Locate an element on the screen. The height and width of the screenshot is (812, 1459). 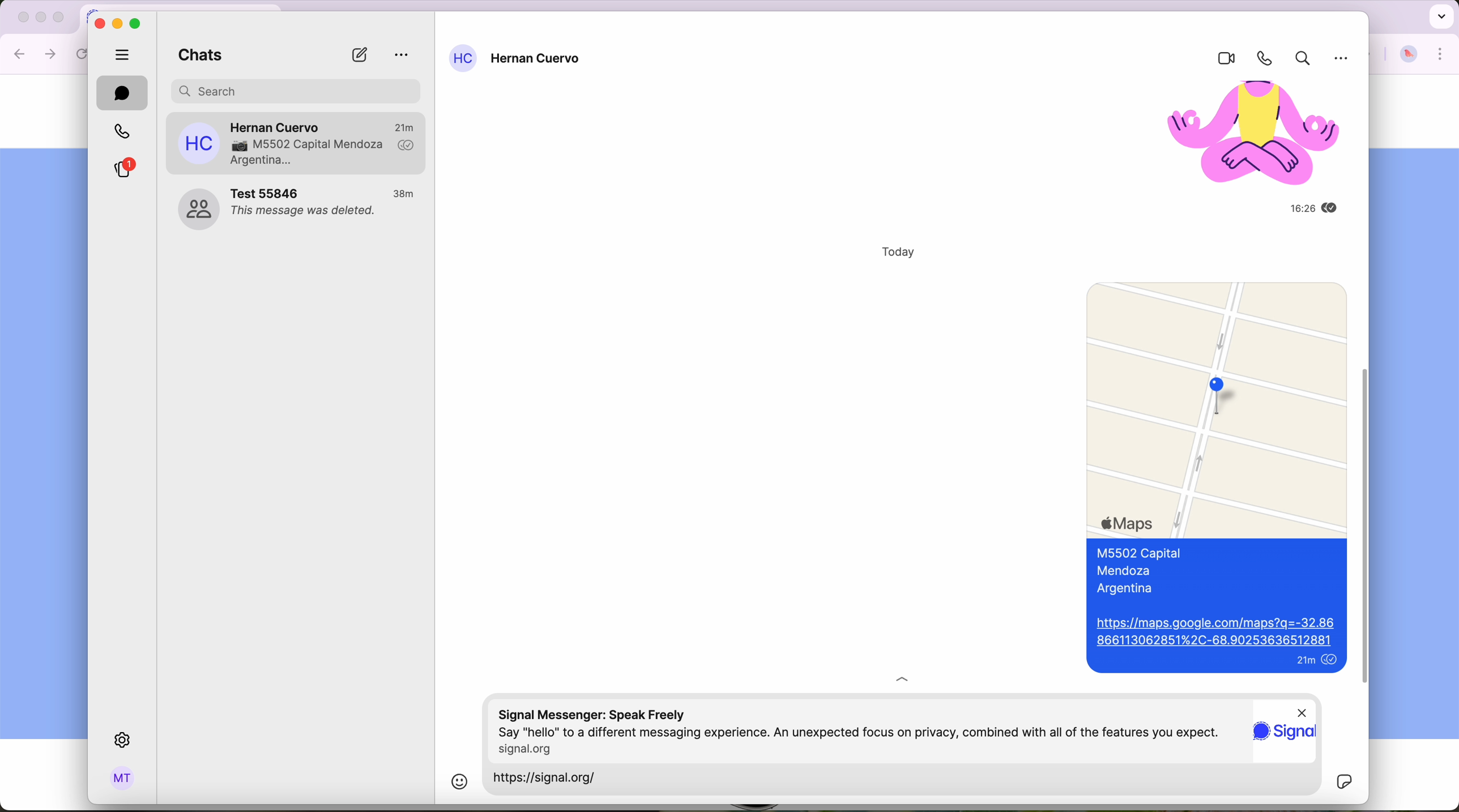
profile picture is located at coordinates (1409, 55).